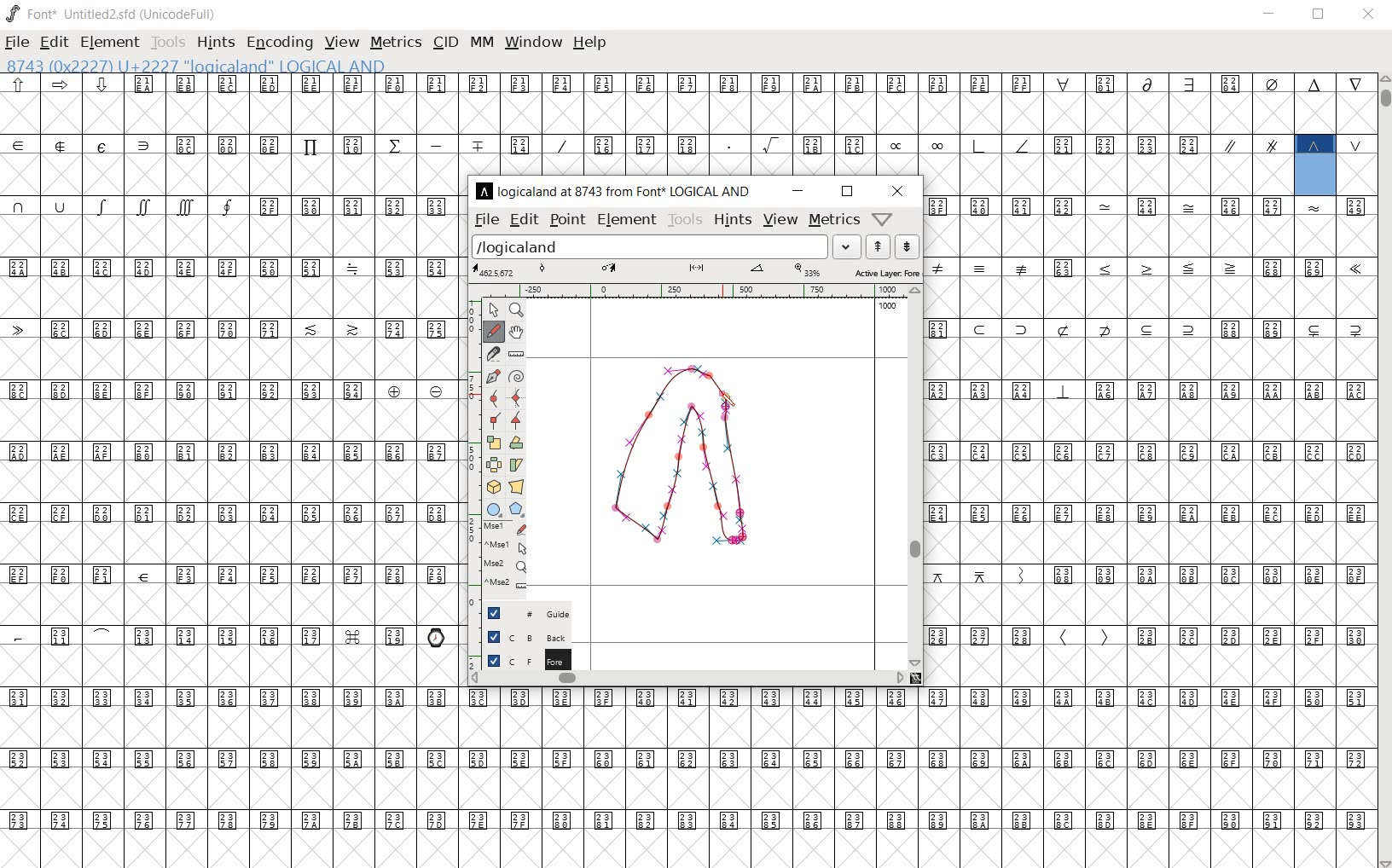  I want to click on hints, so click(216, 44).